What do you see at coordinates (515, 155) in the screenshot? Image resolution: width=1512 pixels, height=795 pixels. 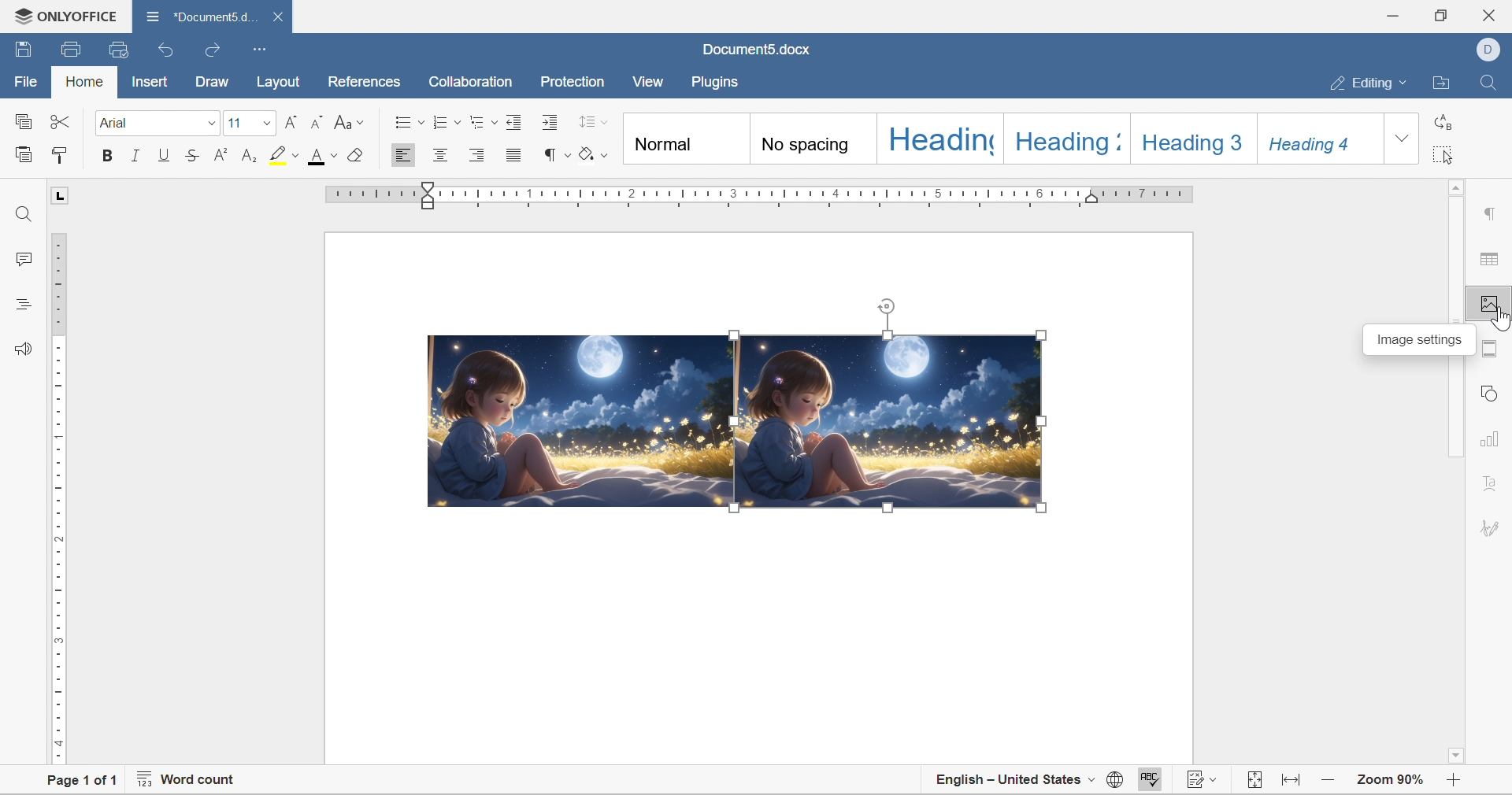 I see `justified` at bounding box center [515, 155].